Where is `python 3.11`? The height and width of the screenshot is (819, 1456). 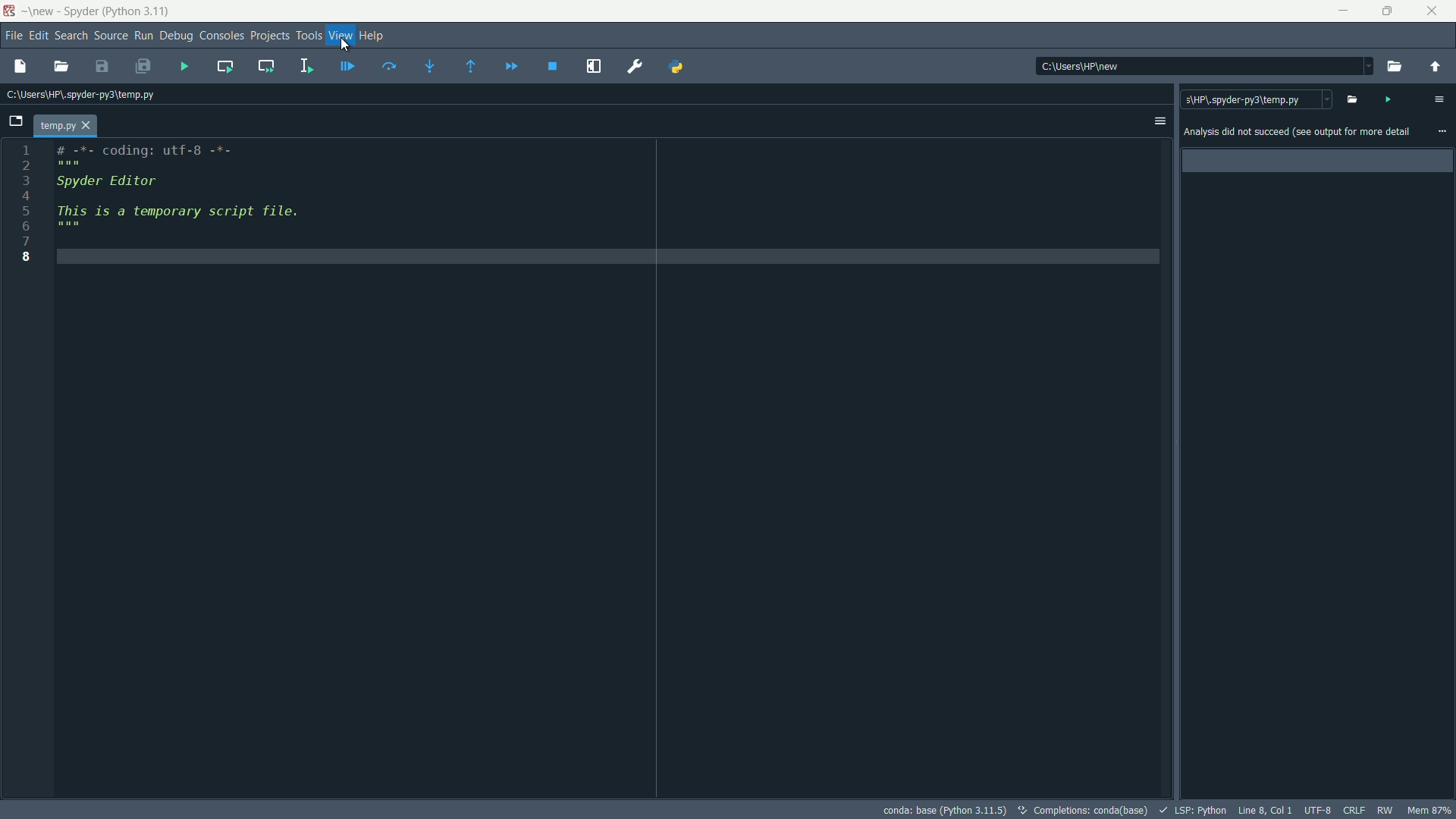
python 3.11 is located at coordinates (137, 11).